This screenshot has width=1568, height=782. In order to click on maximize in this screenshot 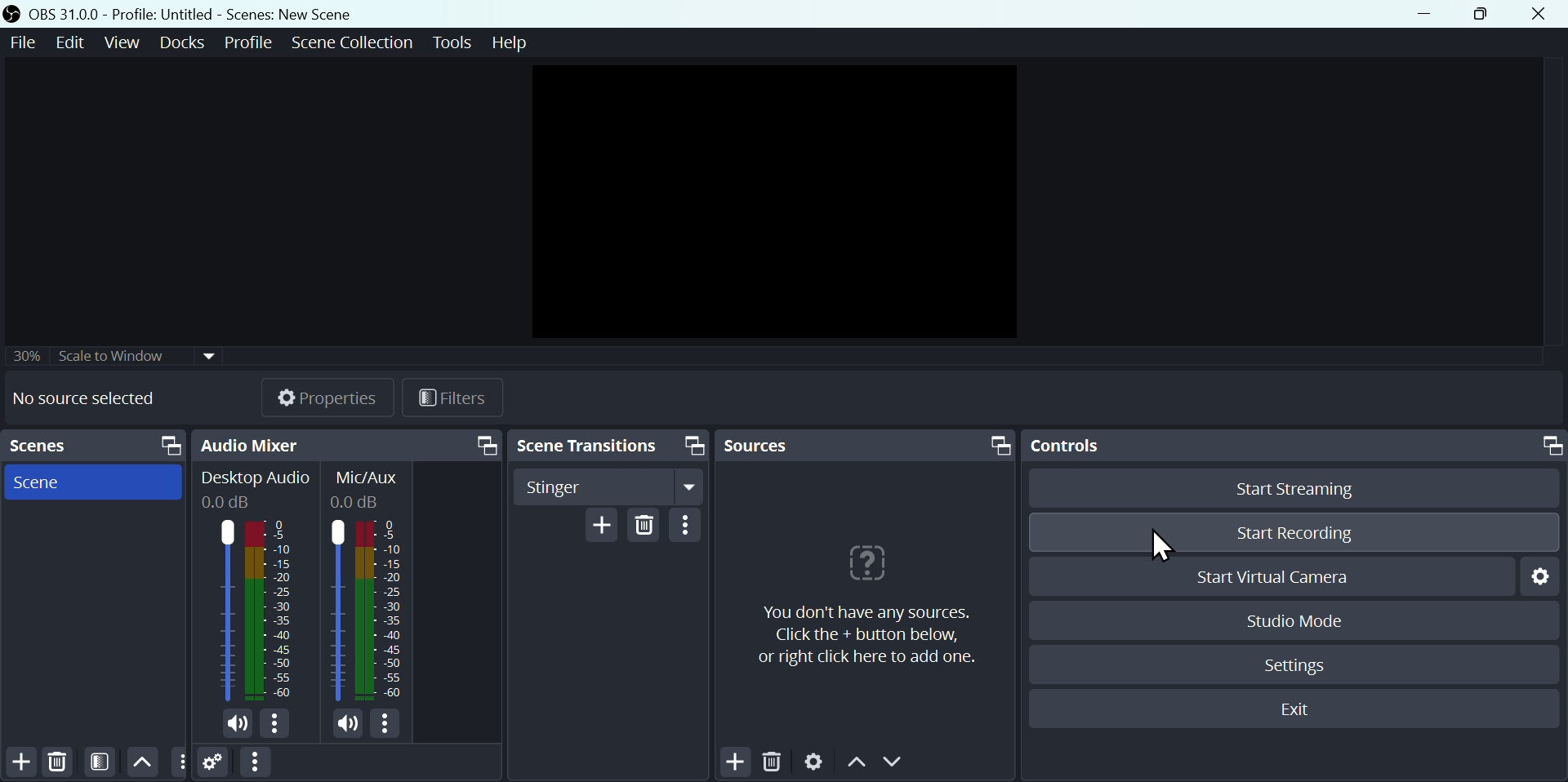, I will do `click(1549, 445)`.